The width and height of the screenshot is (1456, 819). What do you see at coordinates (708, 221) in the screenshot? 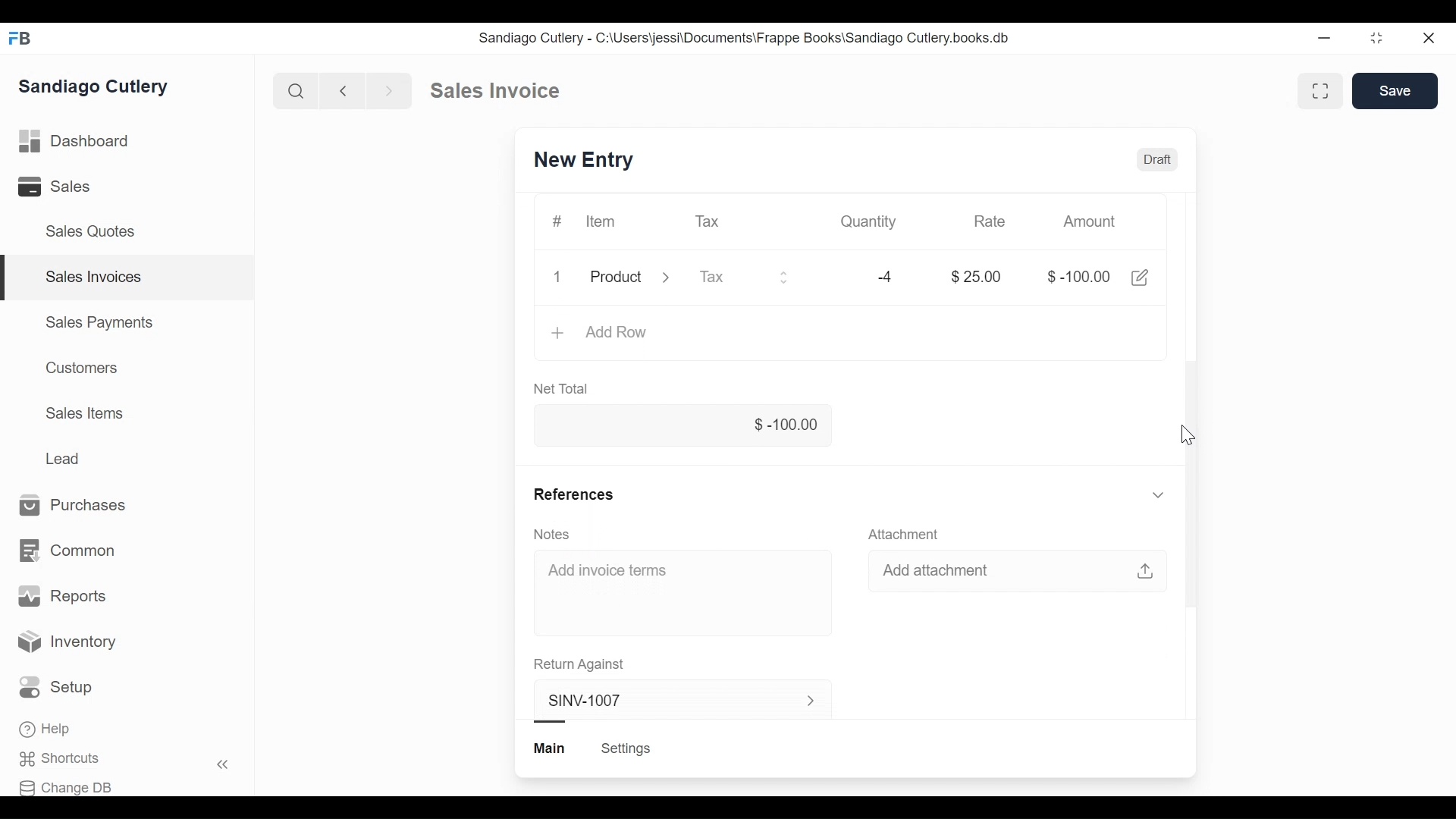
I see `Tax` at bounding box center [708, 221].